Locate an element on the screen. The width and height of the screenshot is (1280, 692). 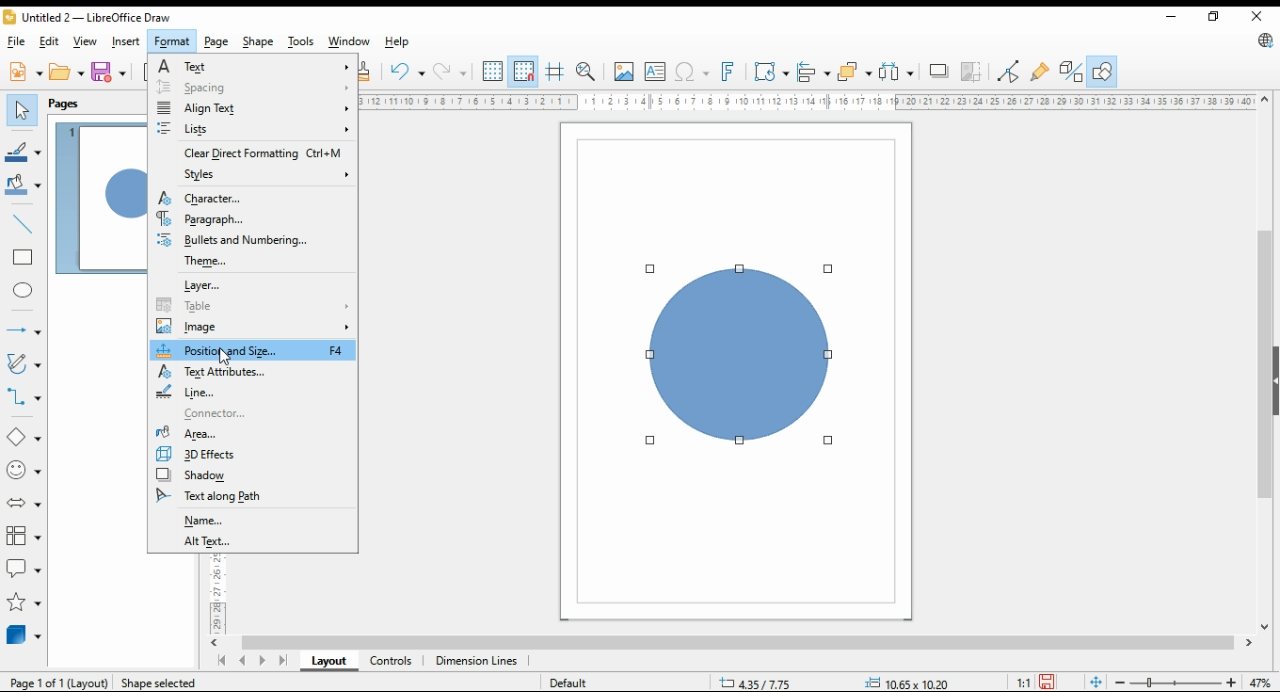
libreoffice update is located at coordinates (1264, 41).